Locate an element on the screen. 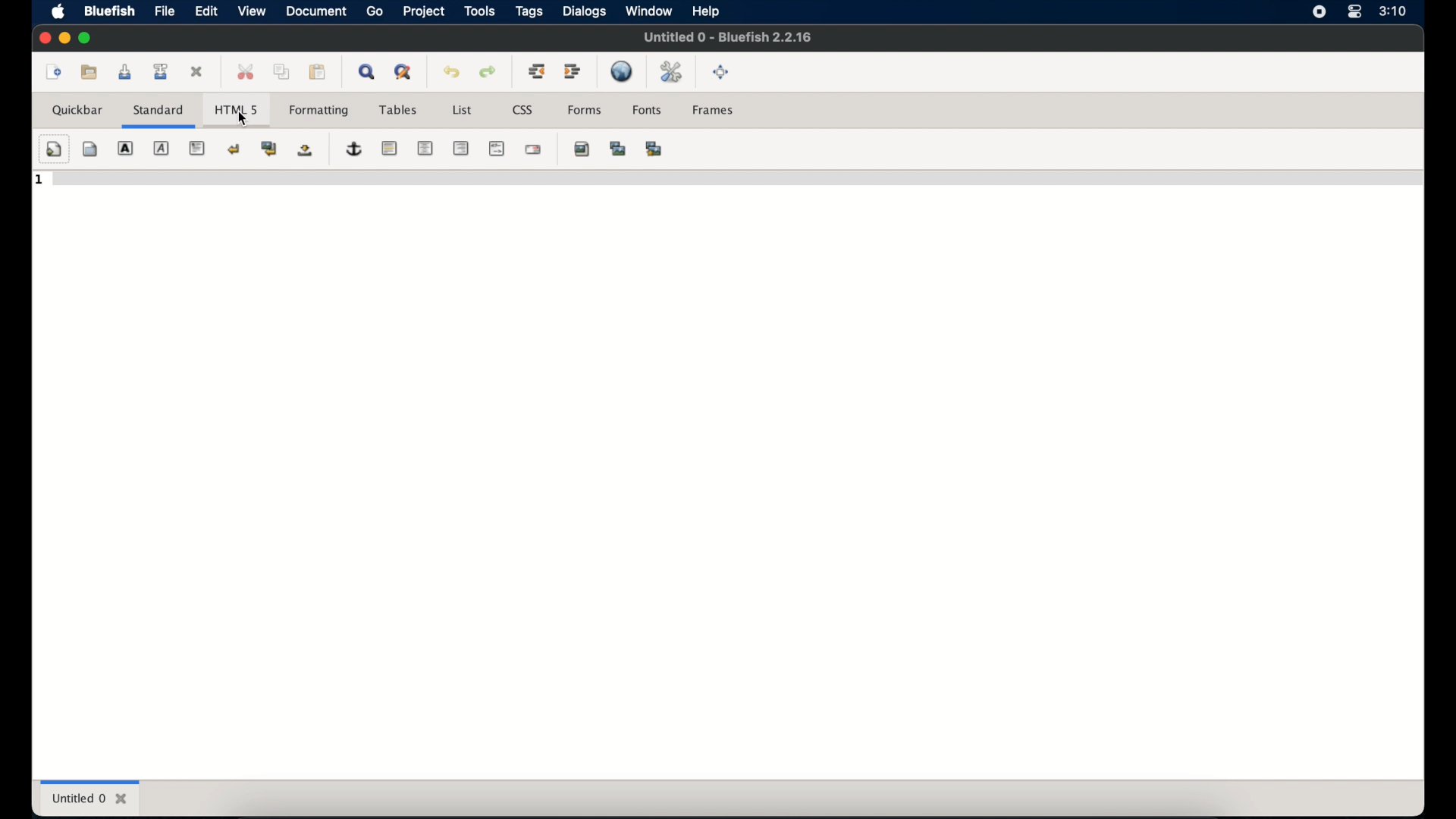 This screenshot has height=819, width=1456. tags is located at coordinates (530, 12).